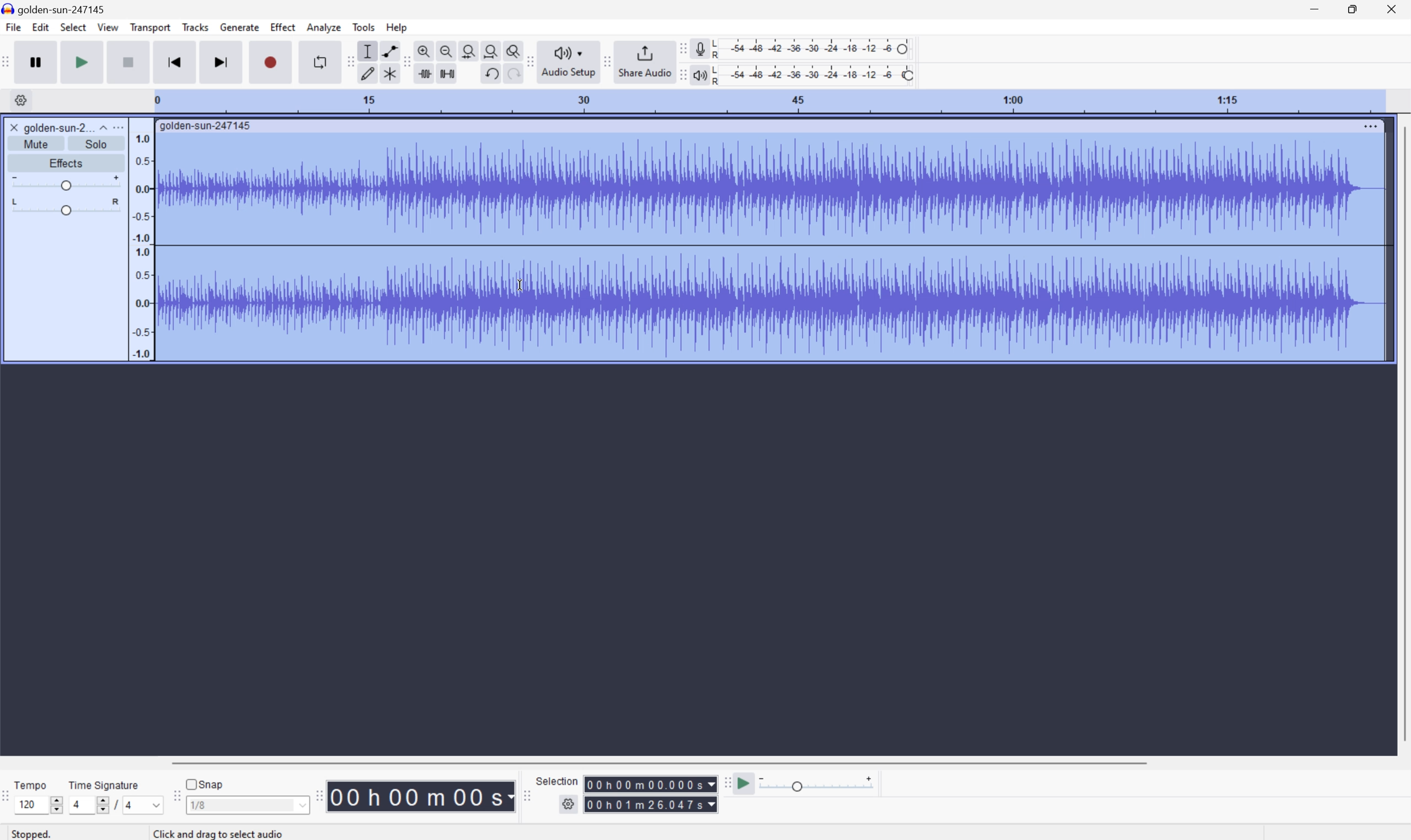 The width and height of the screenshot is (1411, 840). I want to click on Scale, so click(767, 100).